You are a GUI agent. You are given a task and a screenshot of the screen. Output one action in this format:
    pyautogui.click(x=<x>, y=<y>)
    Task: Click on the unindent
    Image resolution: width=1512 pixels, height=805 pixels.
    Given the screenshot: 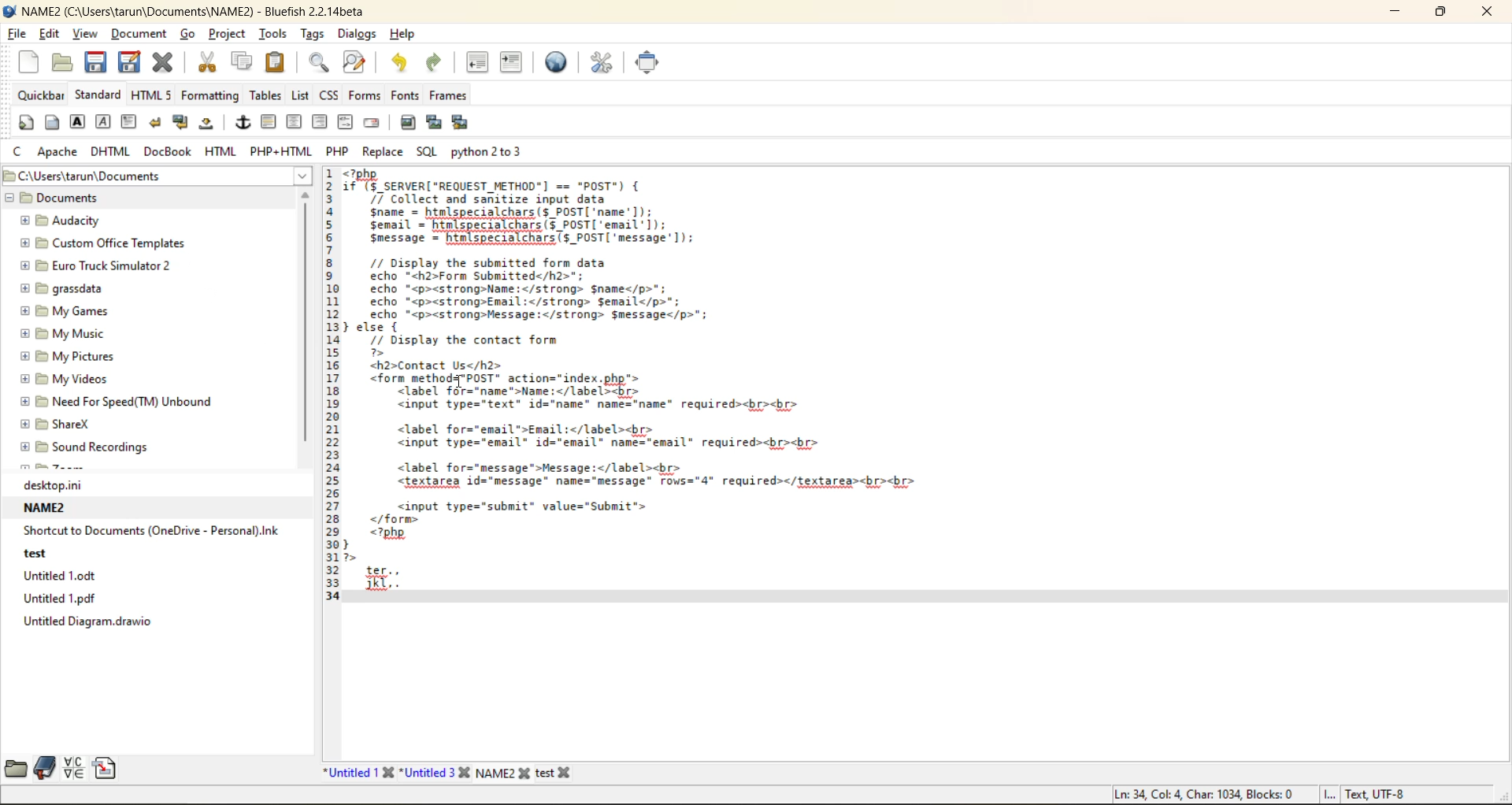 What is the action you would take?
    pyautogui.click(x=476, y=62)
    